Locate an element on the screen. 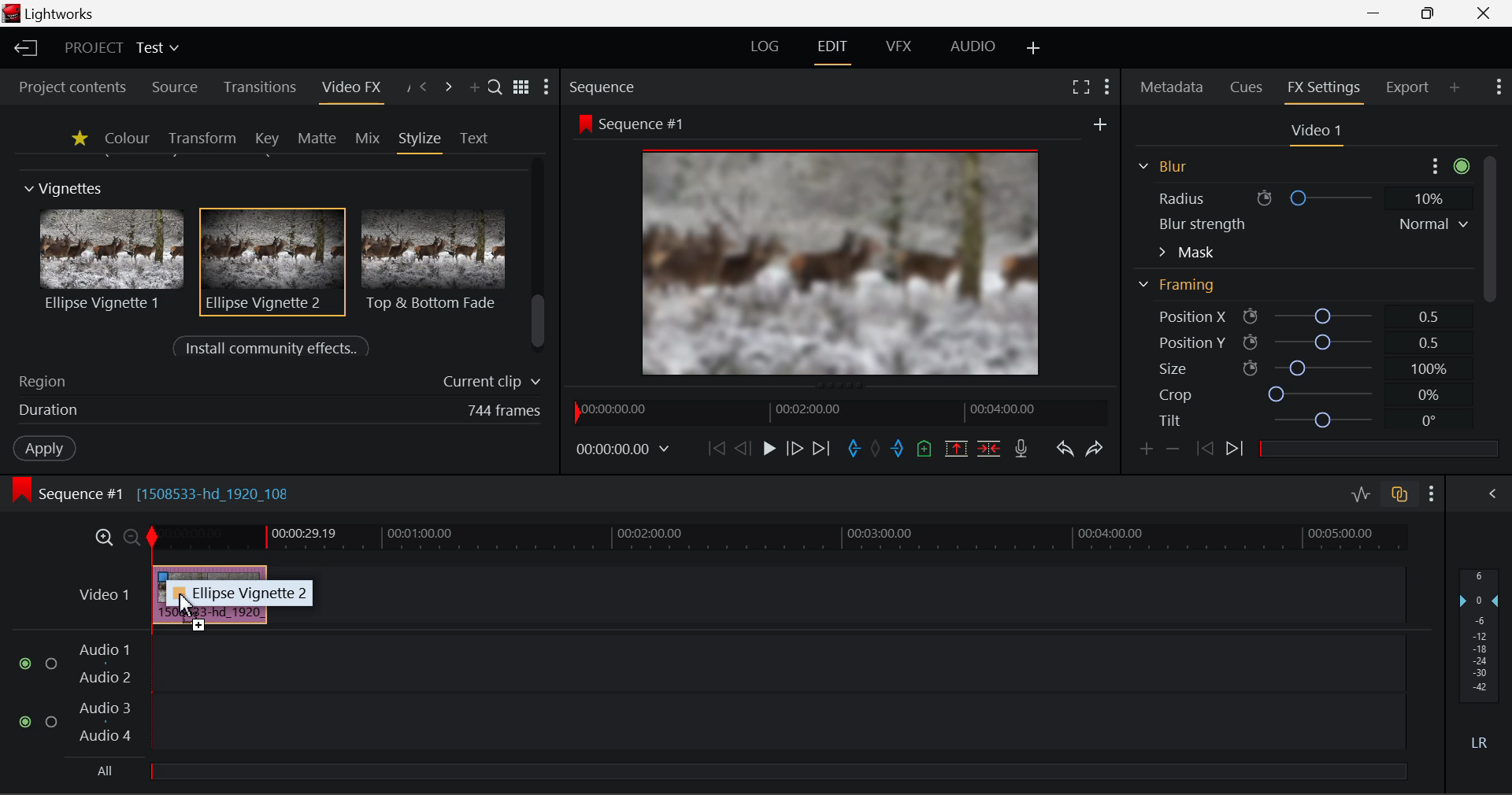 The height and width of the screenshot is (795, 1512). Next keyframe is located at coordinates (1235, 452).